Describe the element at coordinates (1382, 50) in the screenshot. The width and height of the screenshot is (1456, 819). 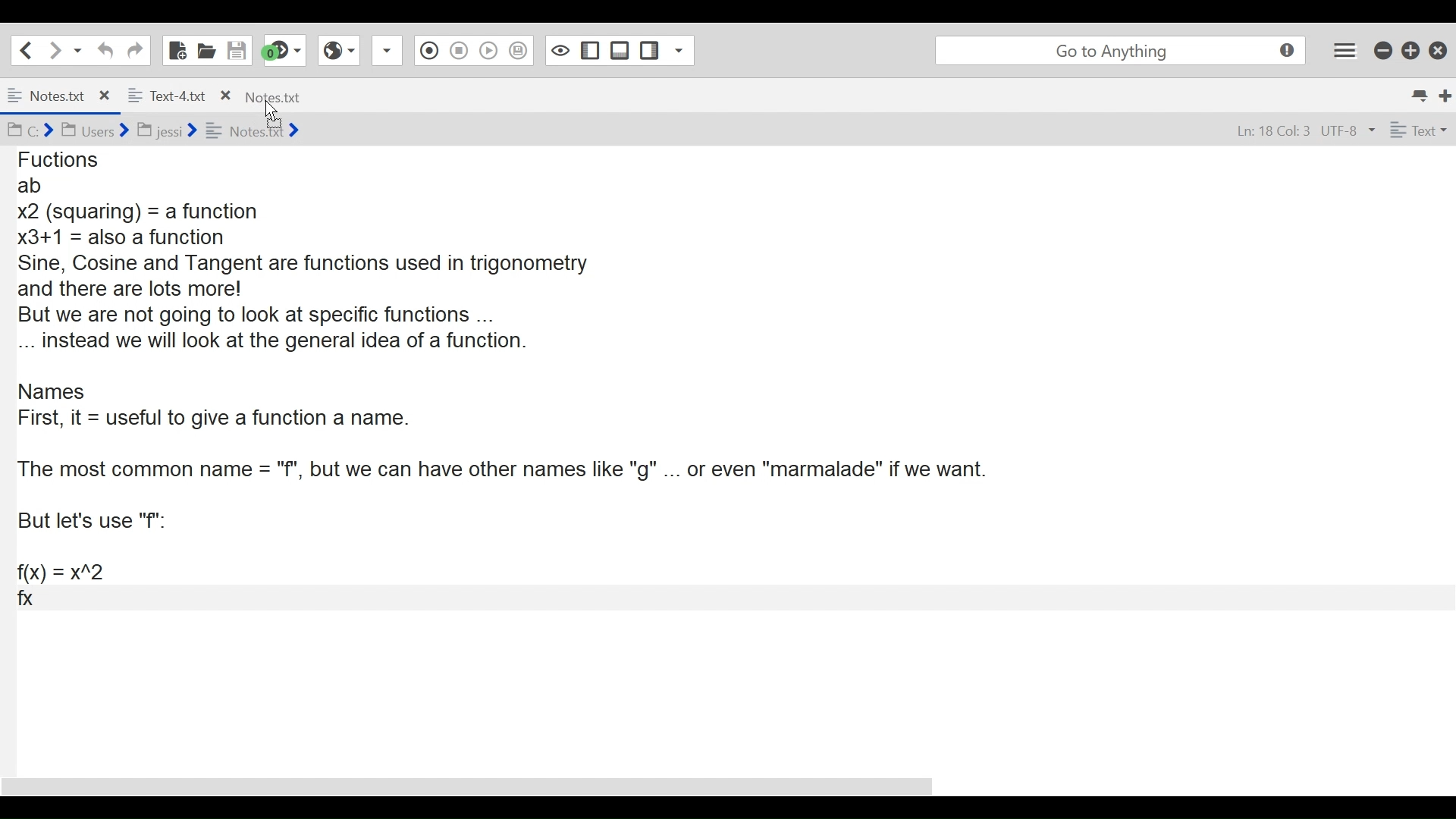
I see `minimize` at that location.